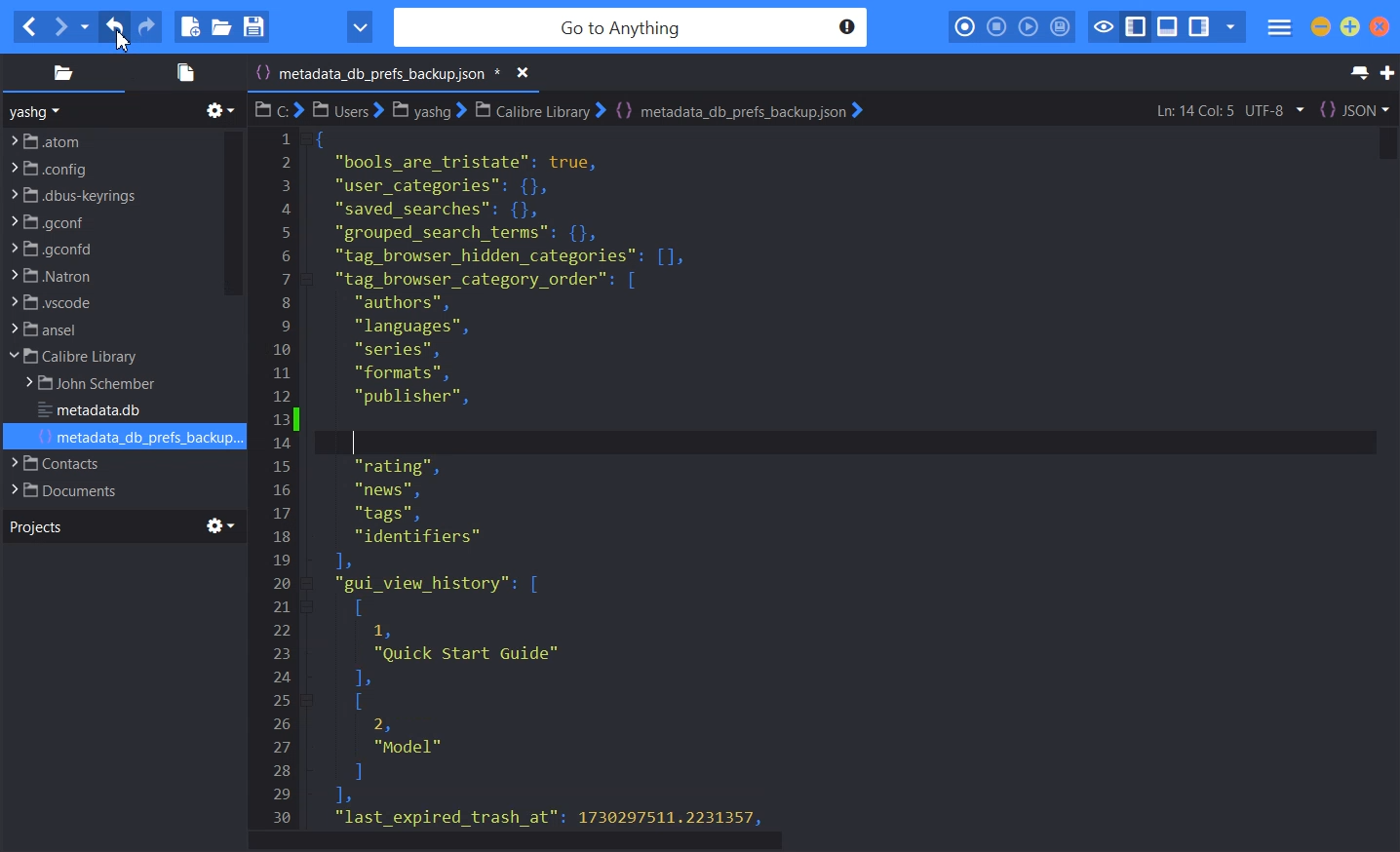 Image resolution: width=1400 pixels, height=852 pixels. Describe the element at coordinates (1028, 27) in the screenshot. I see `Play last macro` at that location.